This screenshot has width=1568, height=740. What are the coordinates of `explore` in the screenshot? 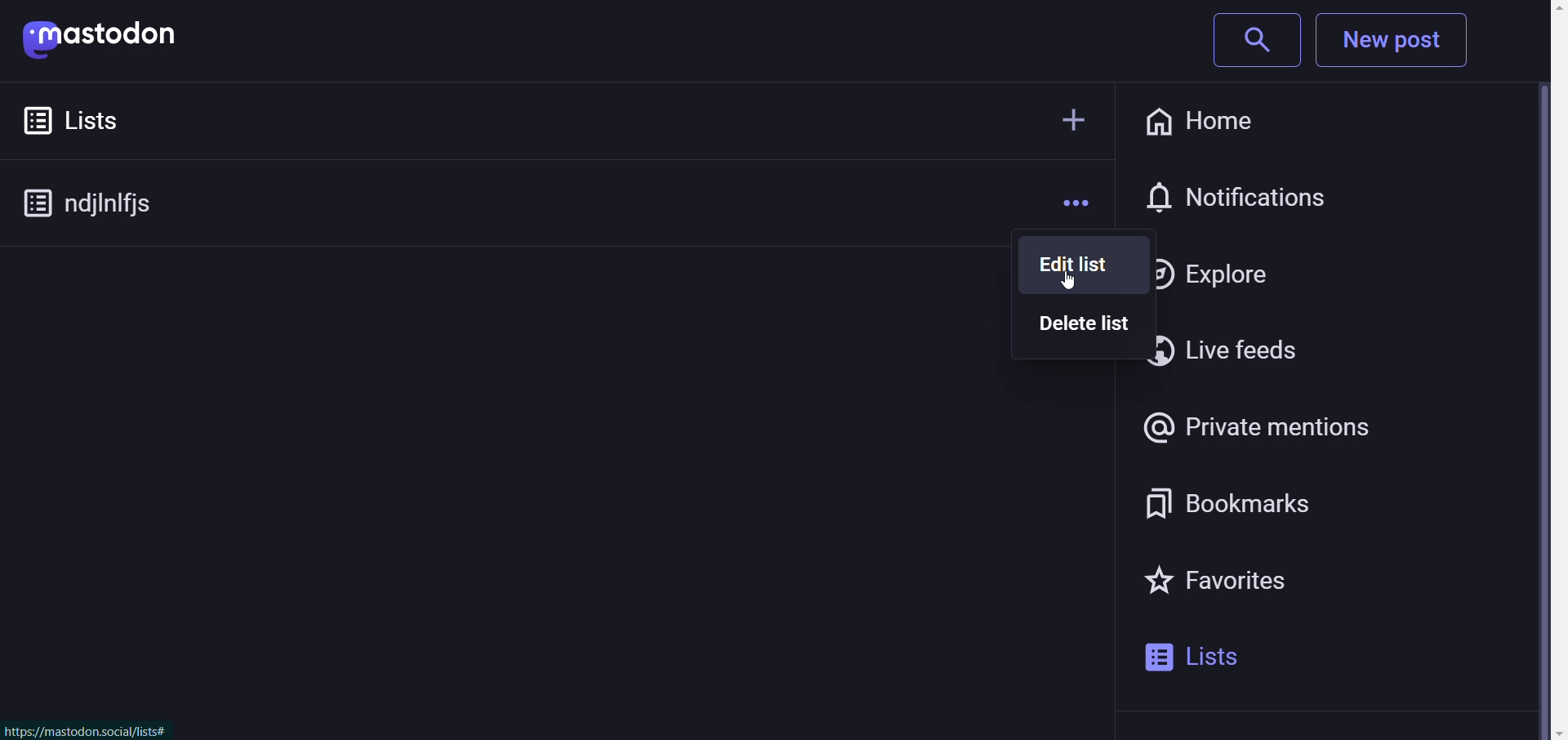 It's located at (1211, 270).